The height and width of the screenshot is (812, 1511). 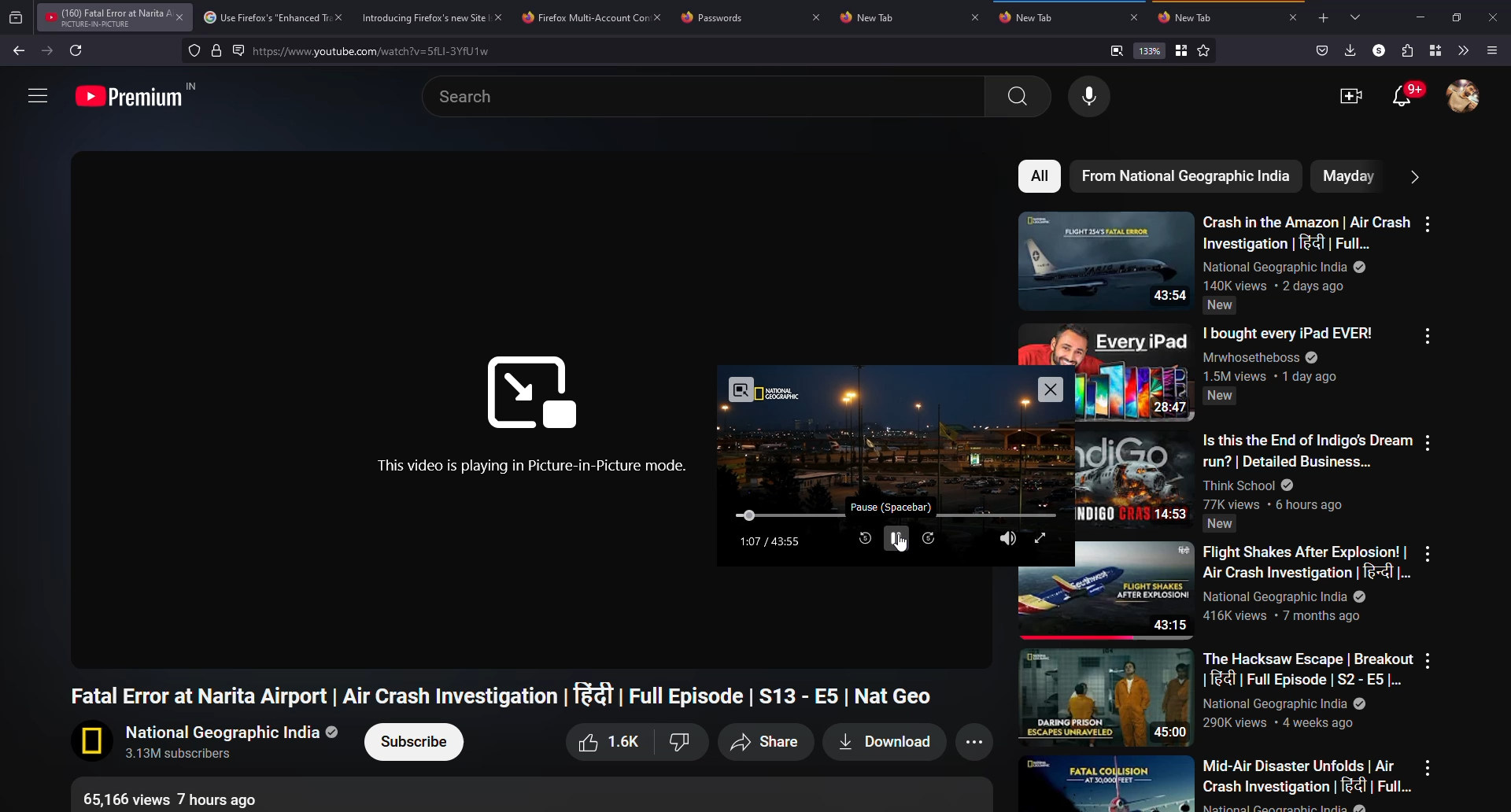 What do you see at coordinates (1203, 51) in the screenshot?
I see `favorite` at bounding box center [1203, 51].